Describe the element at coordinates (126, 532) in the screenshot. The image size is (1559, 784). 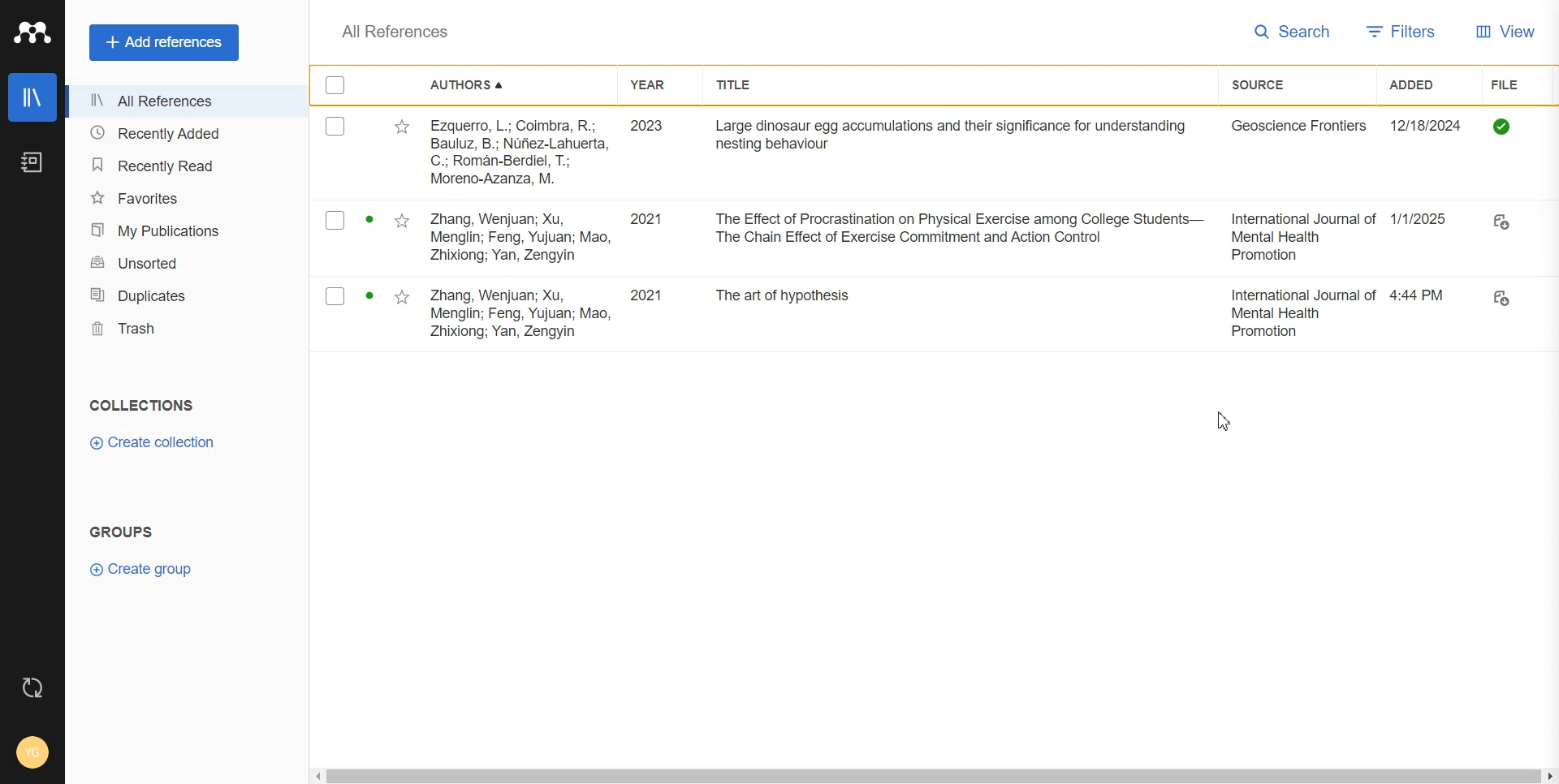
I see `groups` at that location.